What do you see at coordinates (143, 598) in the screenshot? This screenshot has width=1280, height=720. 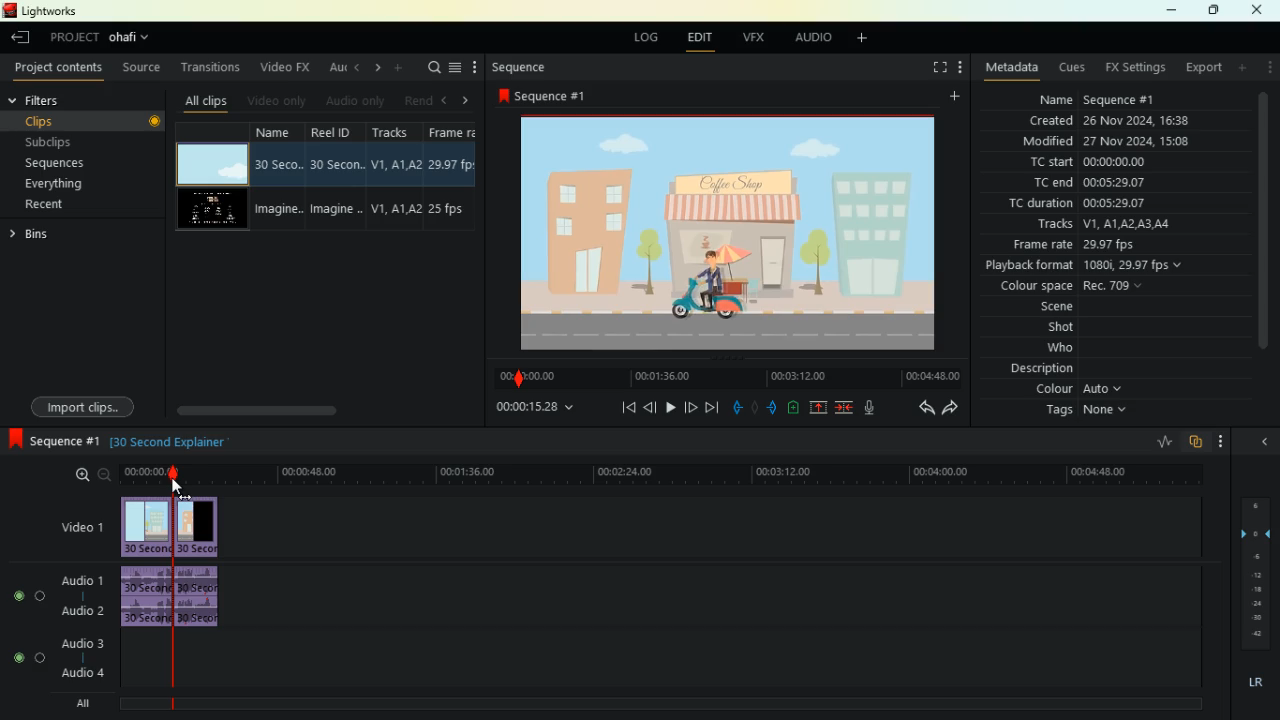 I see `audio` at bounding box center [143, 598].